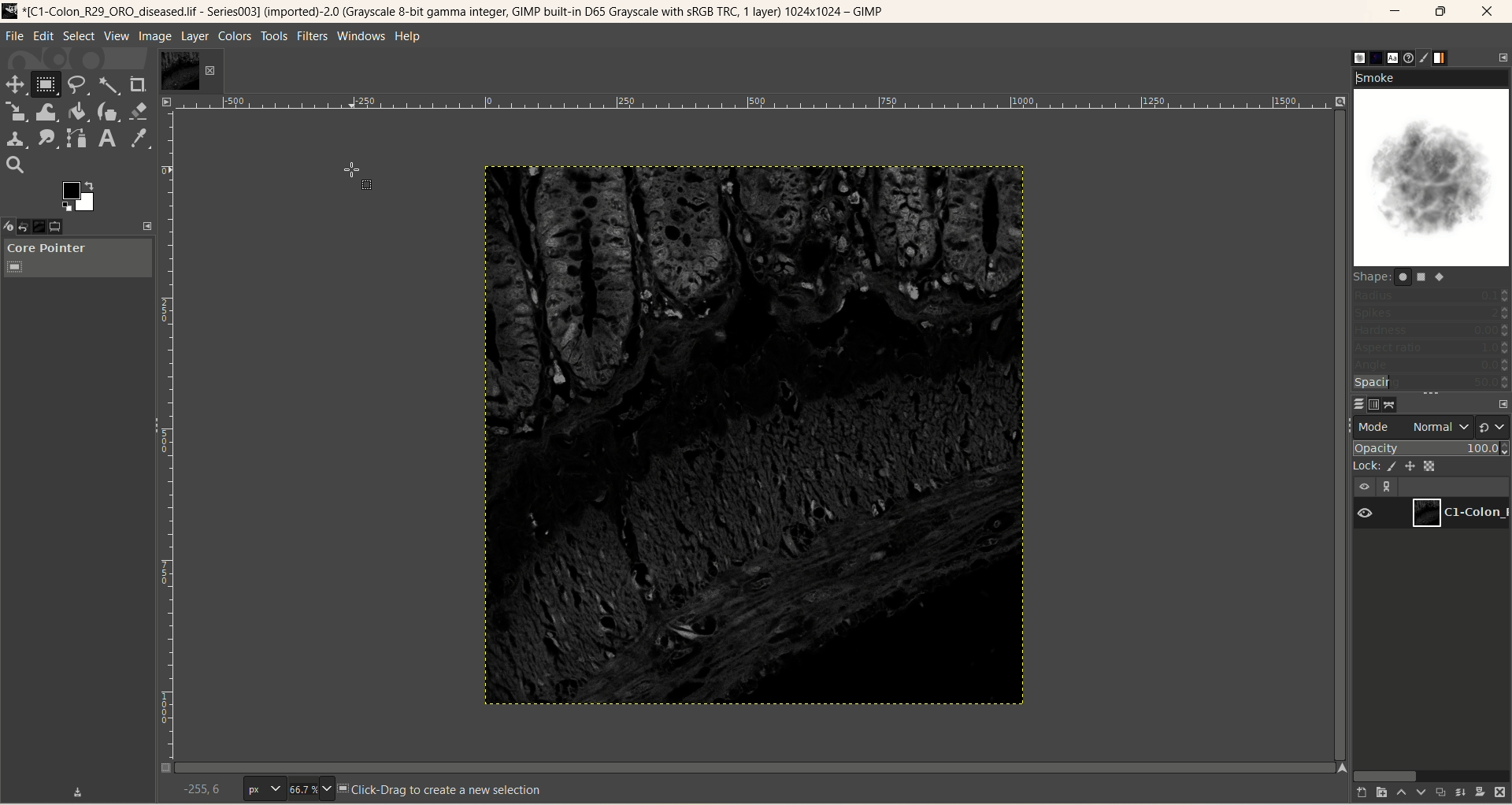 The width and height of the screenshot is (1512, 805). What do you see at coordinates (1392, 467) in the screenshot?
I see `lock pixel` at bounding box center [1392, 467].